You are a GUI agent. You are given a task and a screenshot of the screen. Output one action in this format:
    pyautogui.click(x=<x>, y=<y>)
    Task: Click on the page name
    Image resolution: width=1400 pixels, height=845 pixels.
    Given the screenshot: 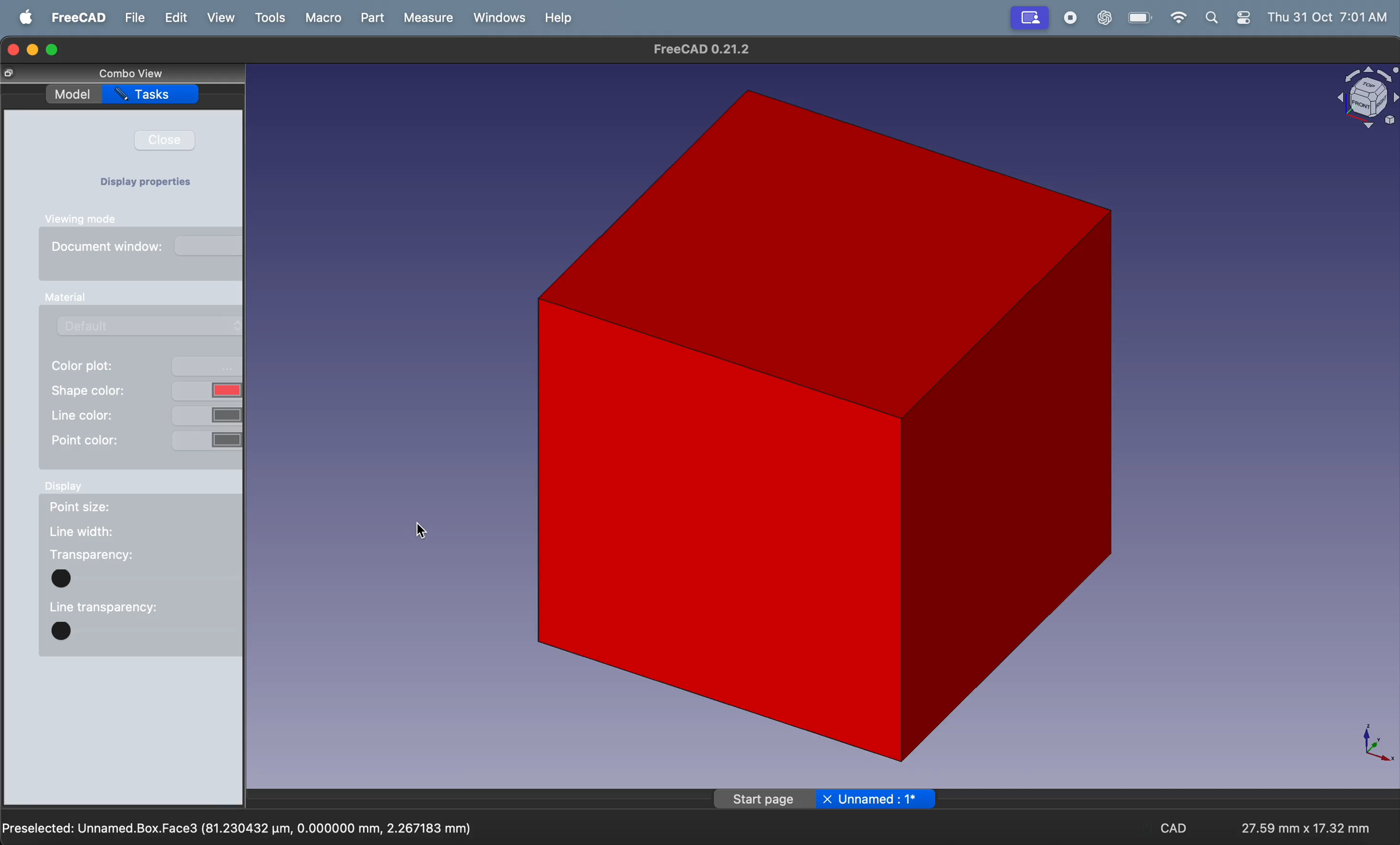 What is the action you would take?
    pyautogui.click(x=827, y=798)
    